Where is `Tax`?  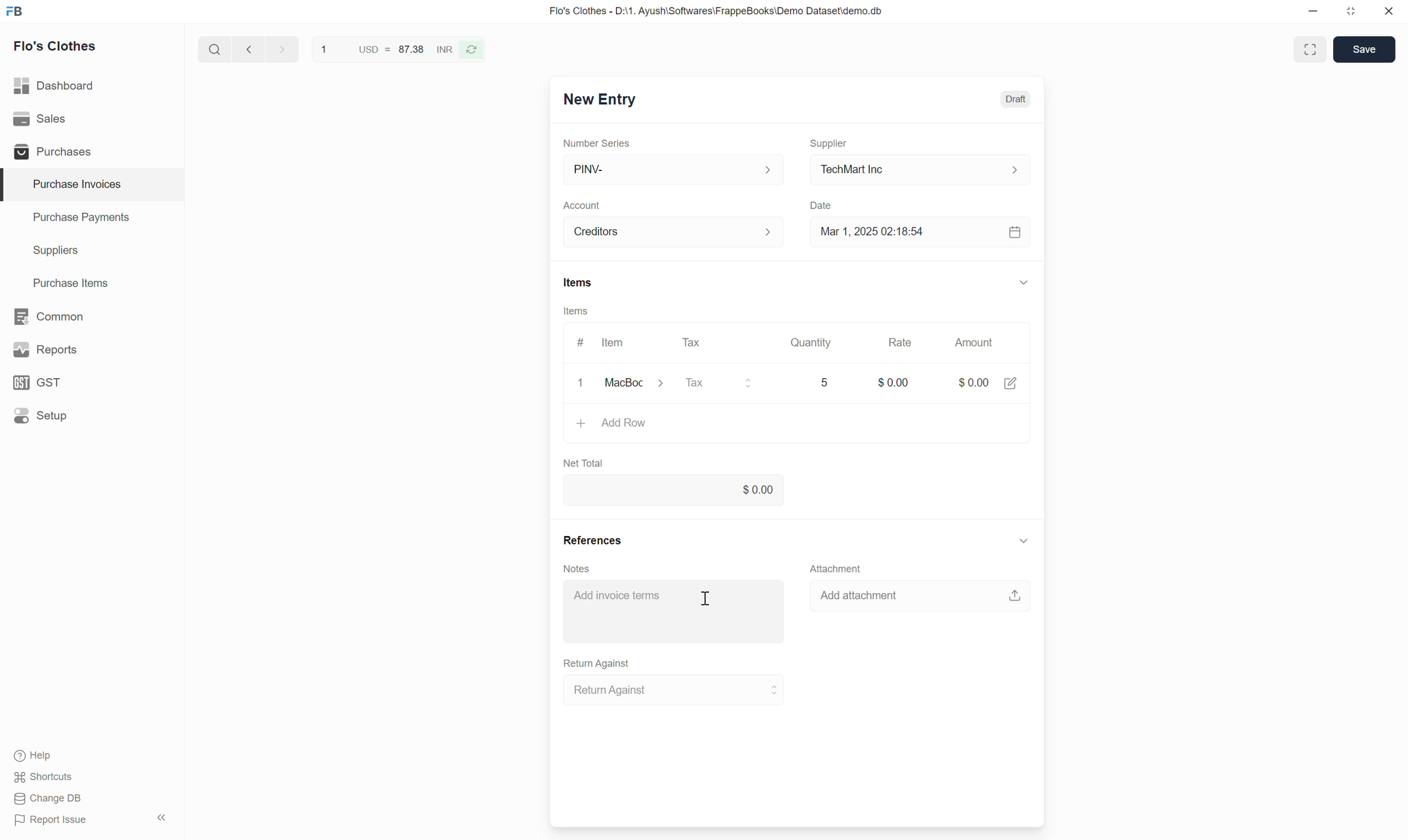 Tax is located at coordinates (724, 384).